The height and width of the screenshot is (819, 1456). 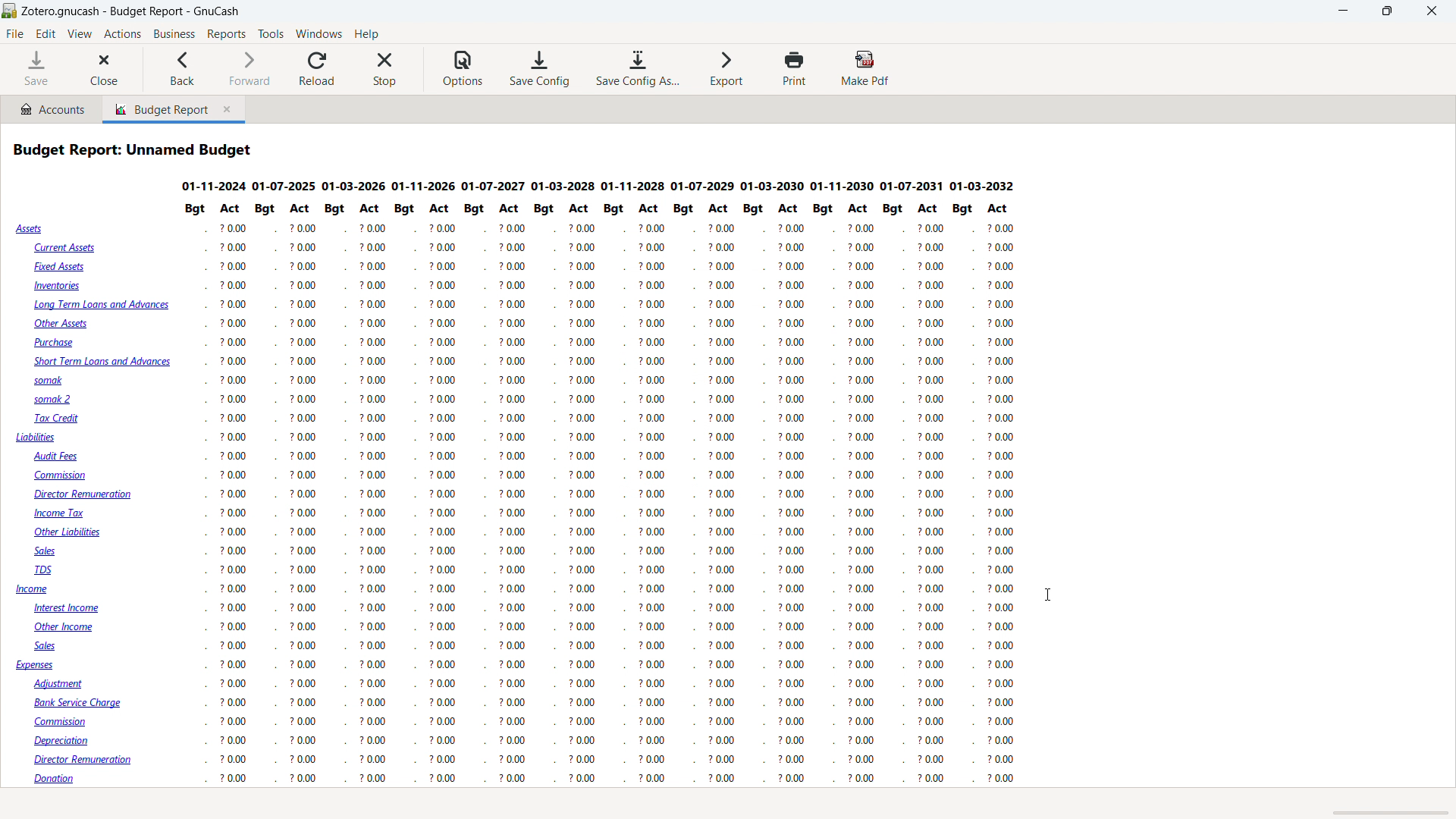 I want to click on cursor, so click(x=1048, y=594).